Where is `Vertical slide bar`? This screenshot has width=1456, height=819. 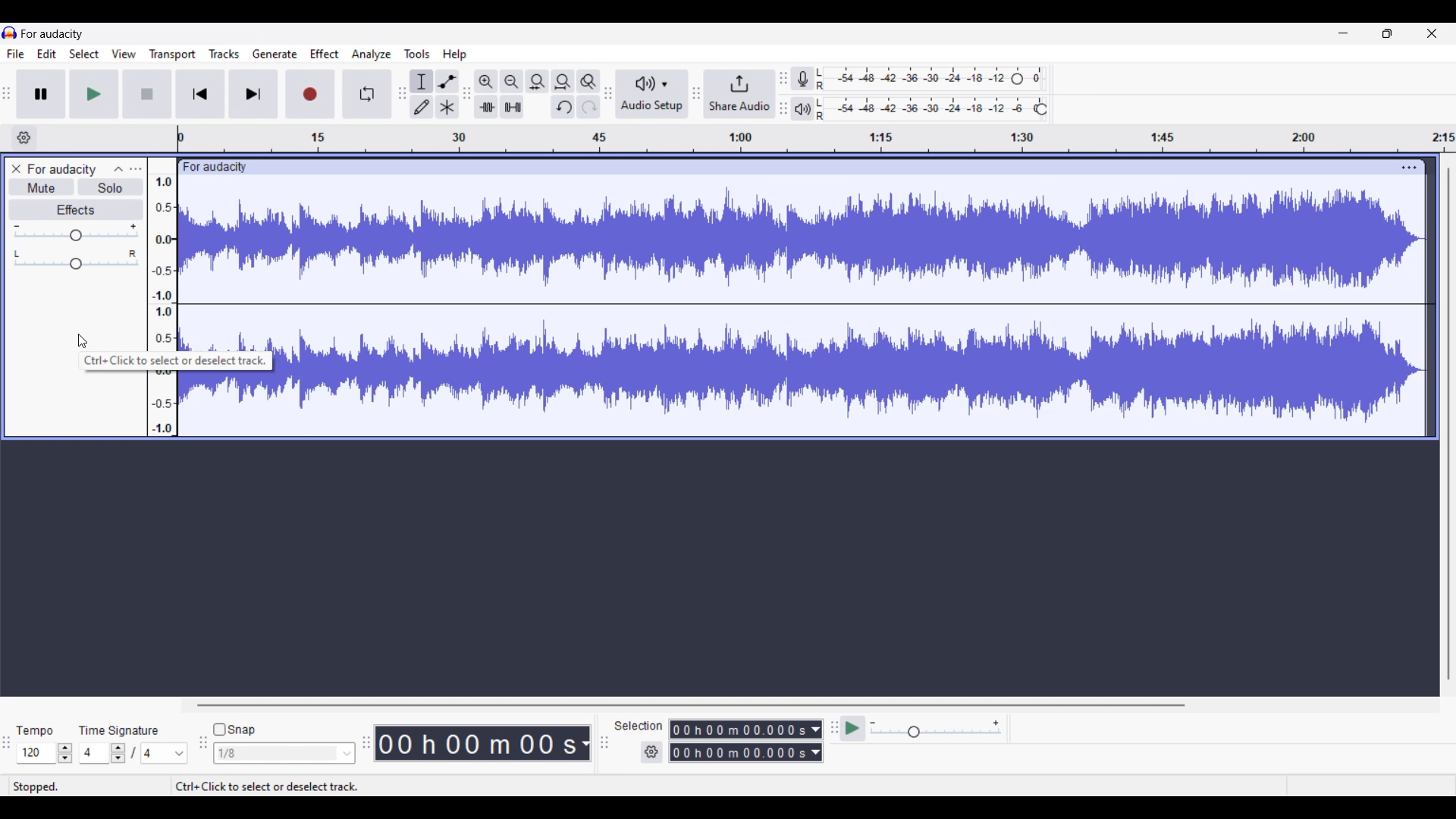
Vertical slide bar is located at coordinates (1449, 423).